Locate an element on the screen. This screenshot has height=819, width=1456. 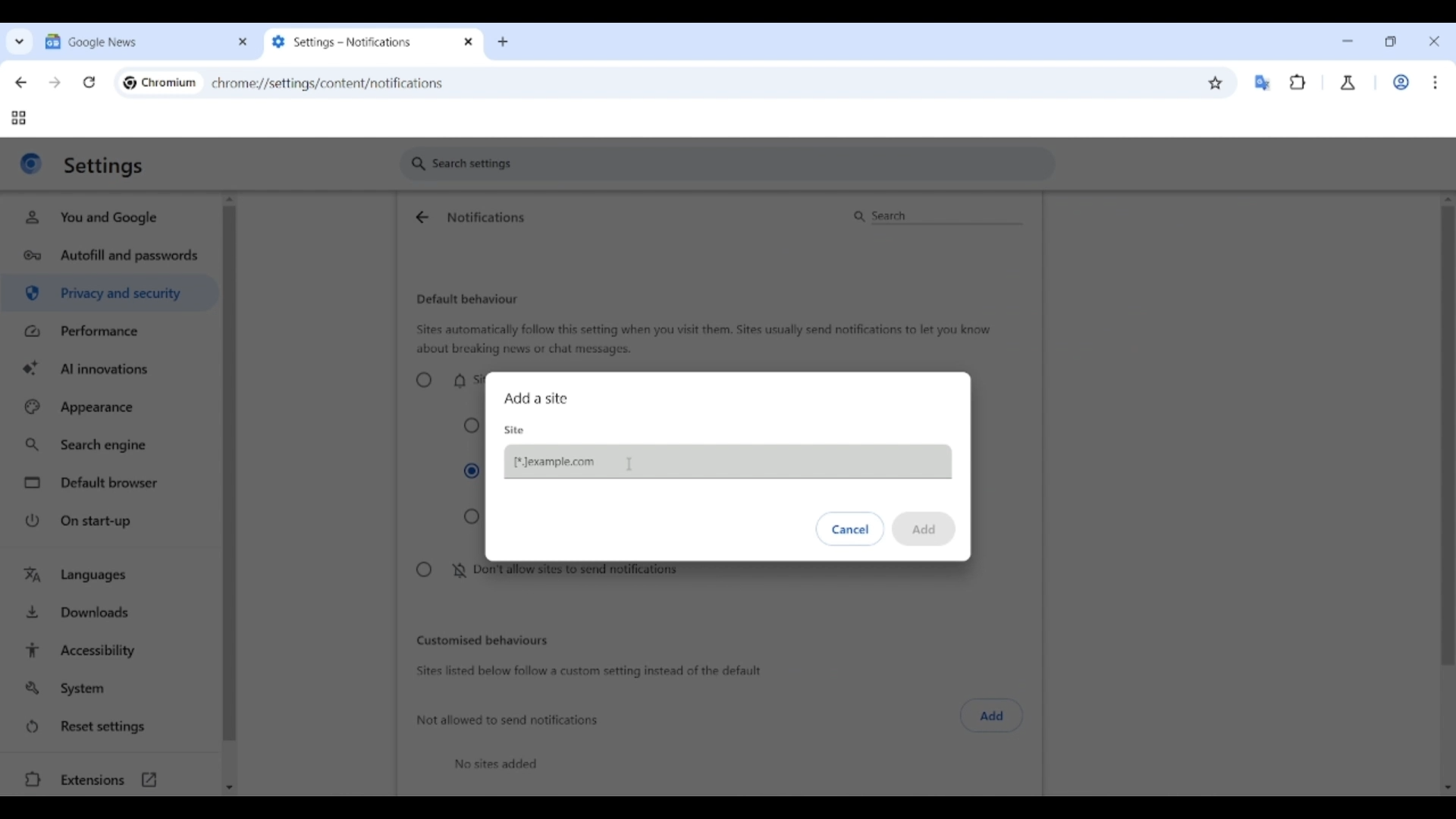
You and Google is located at coordinates (107, 218).